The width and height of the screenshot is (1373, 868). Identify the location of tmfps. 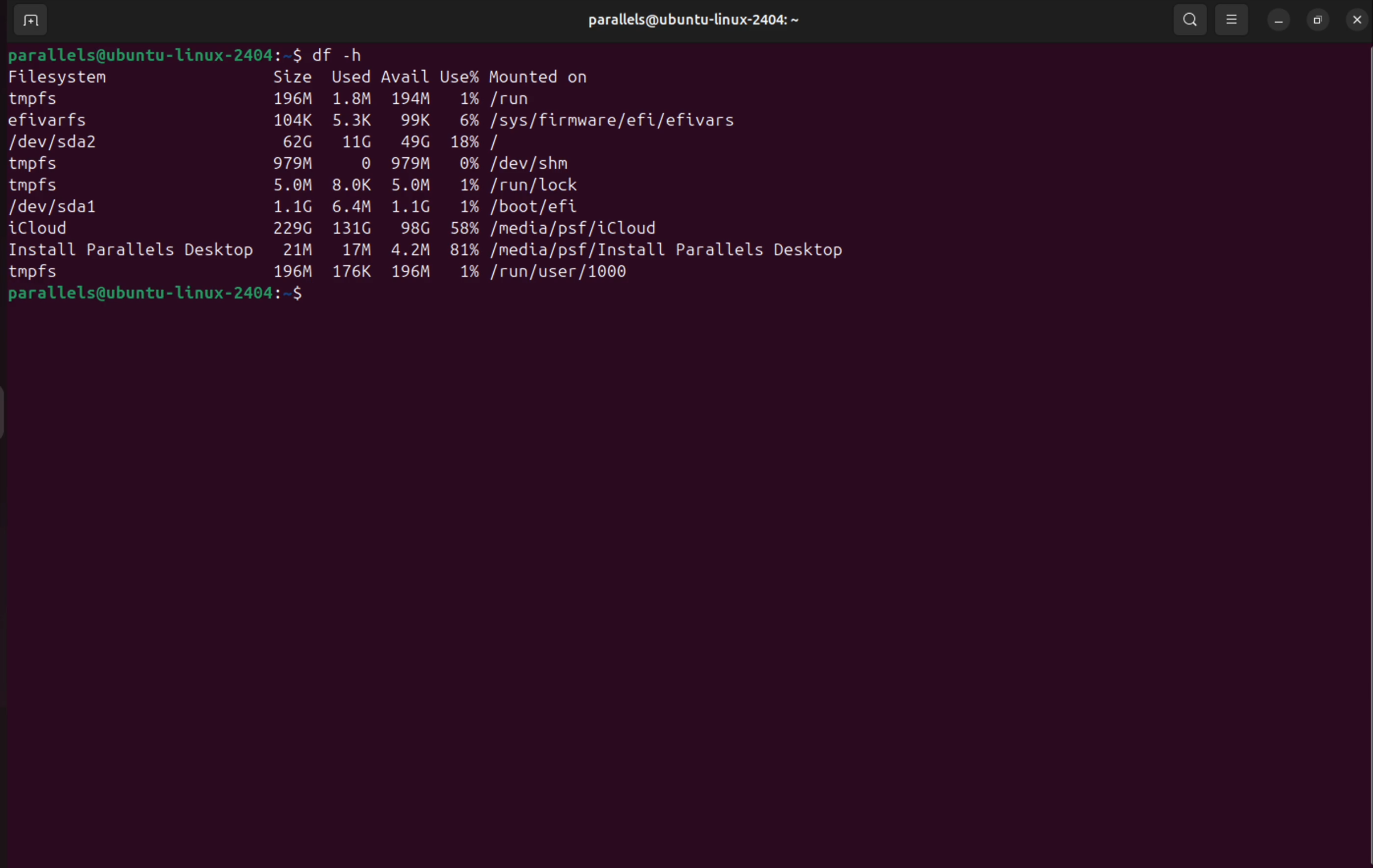
(42, 188).